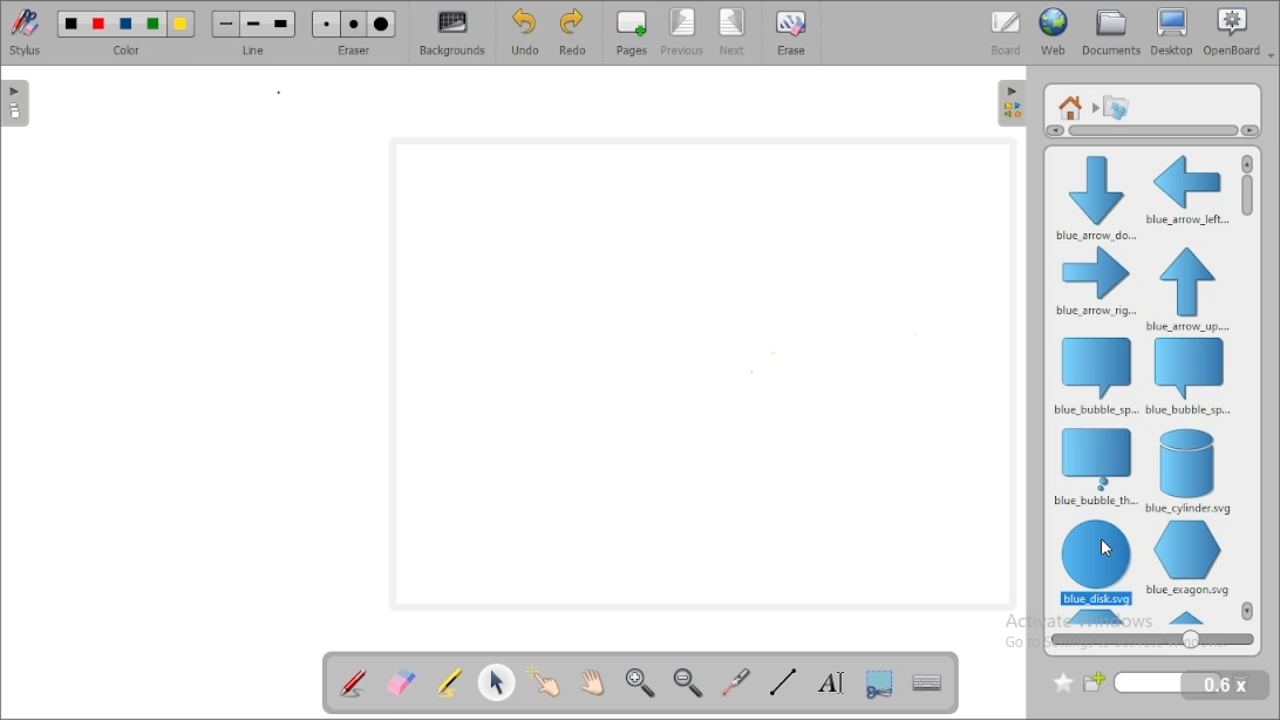 The height and width of the screenshot is (720, 1280). What do you see at coordinates (1187, 558) in the screenshot?
I see `blue exagon` at bounding box center [1187, 558].